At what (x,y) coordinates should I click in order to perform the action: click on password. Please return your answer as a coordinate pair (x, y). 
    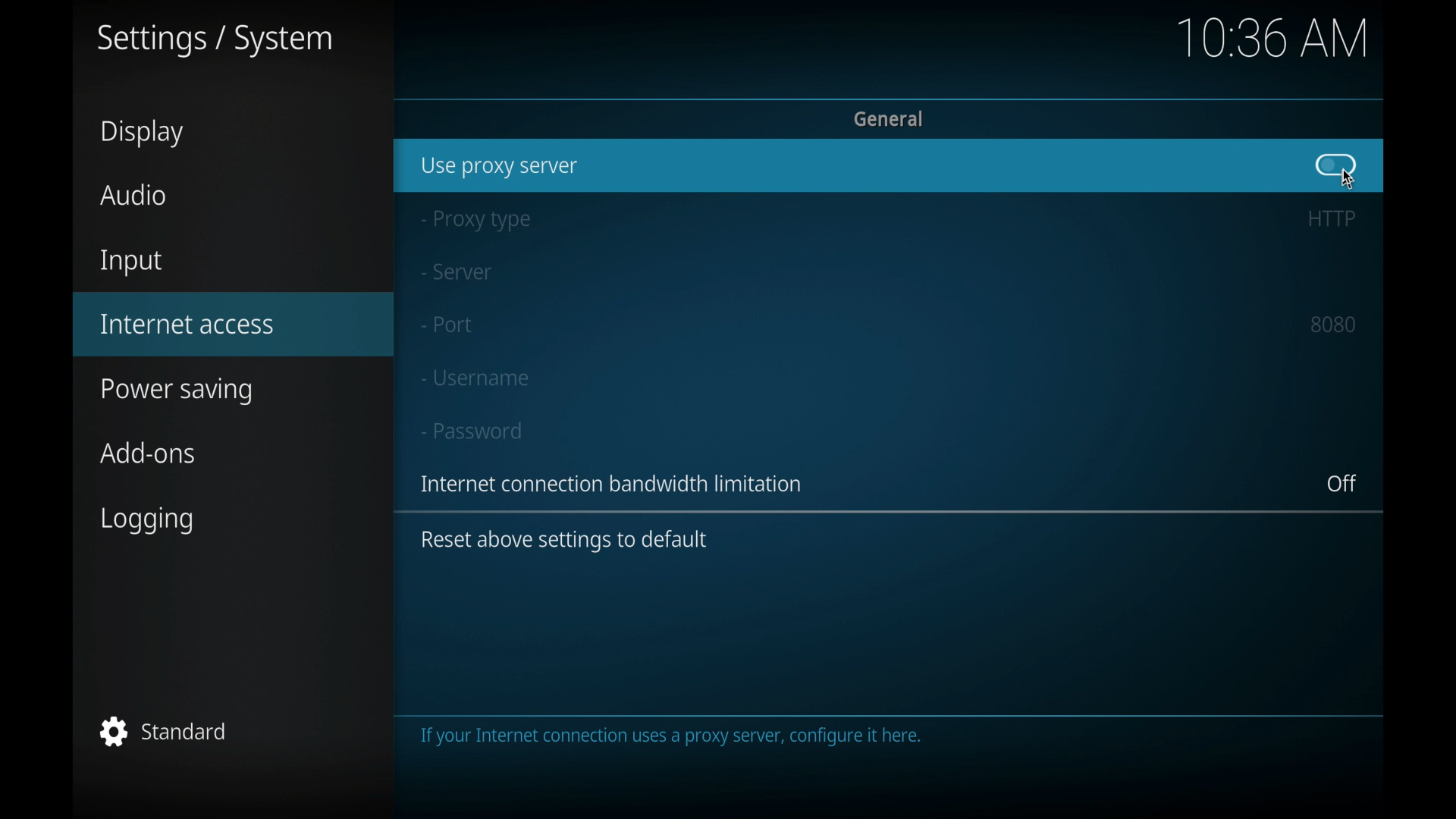
    Looking at the image, I should click on (472, 431).